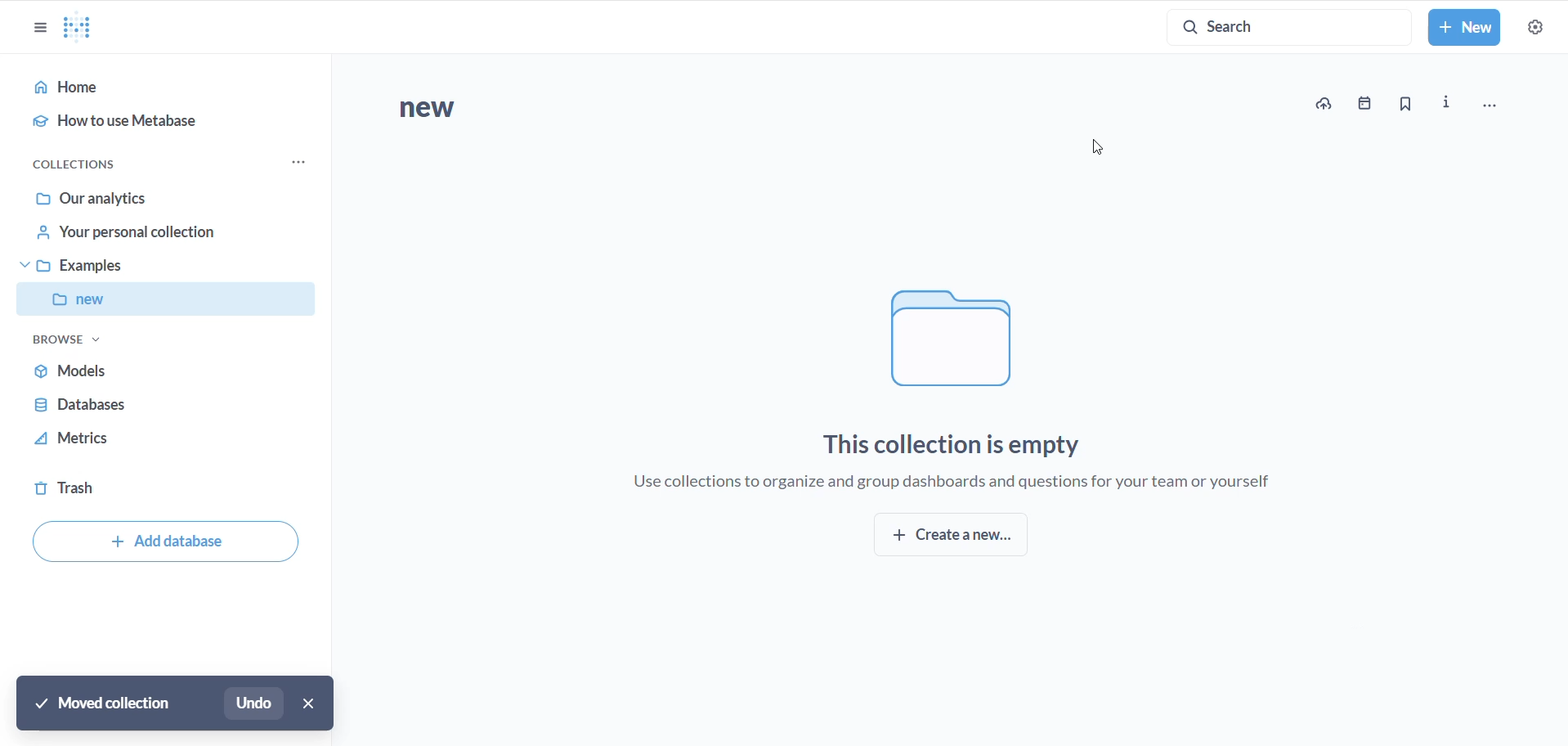 The image size is (1568, 746). I want to click on bookmark, so click(1408, 104).